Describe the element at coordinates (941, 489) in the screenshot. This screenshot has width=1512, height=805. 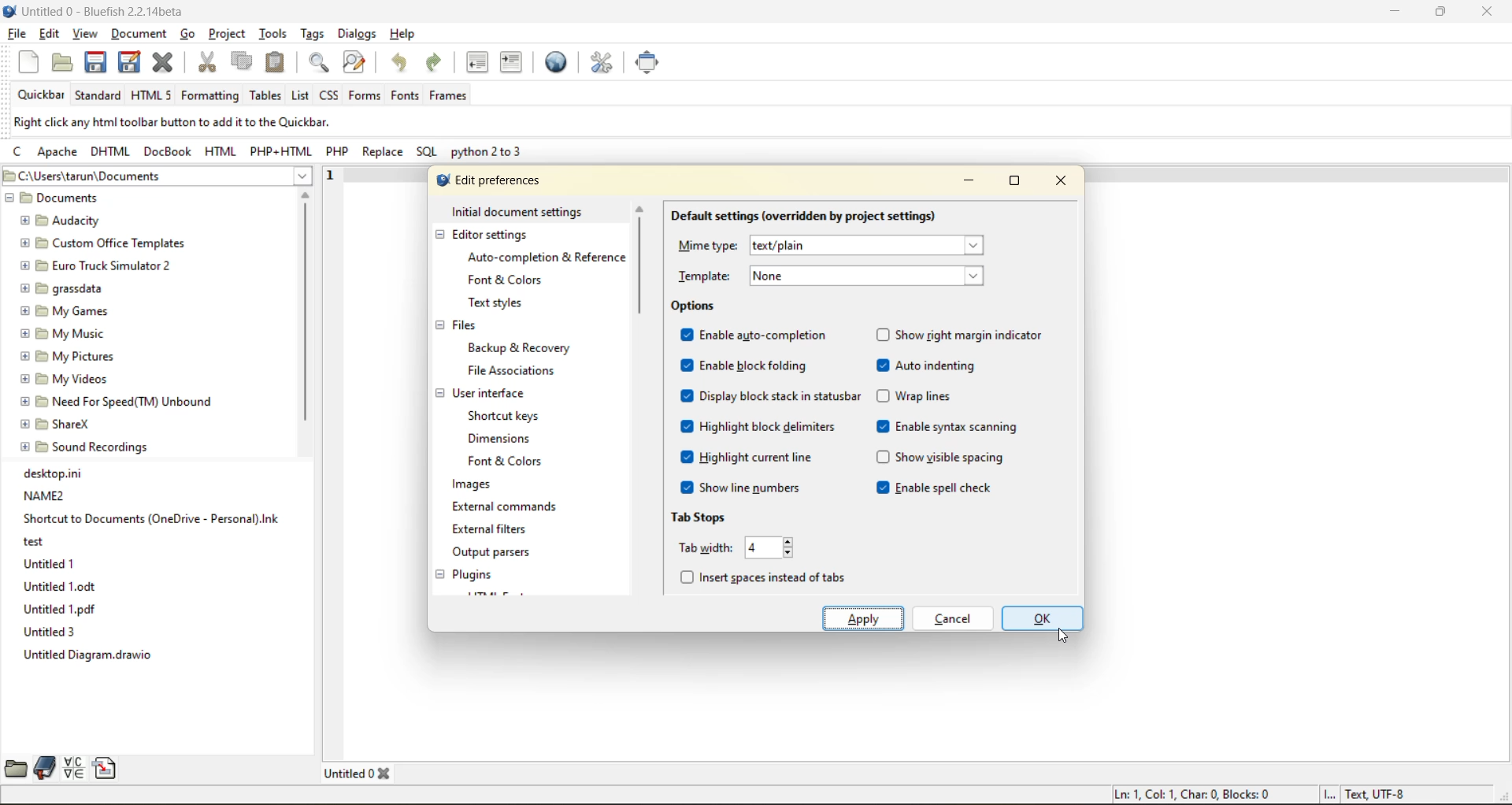
I see `enable spell check` at that location.